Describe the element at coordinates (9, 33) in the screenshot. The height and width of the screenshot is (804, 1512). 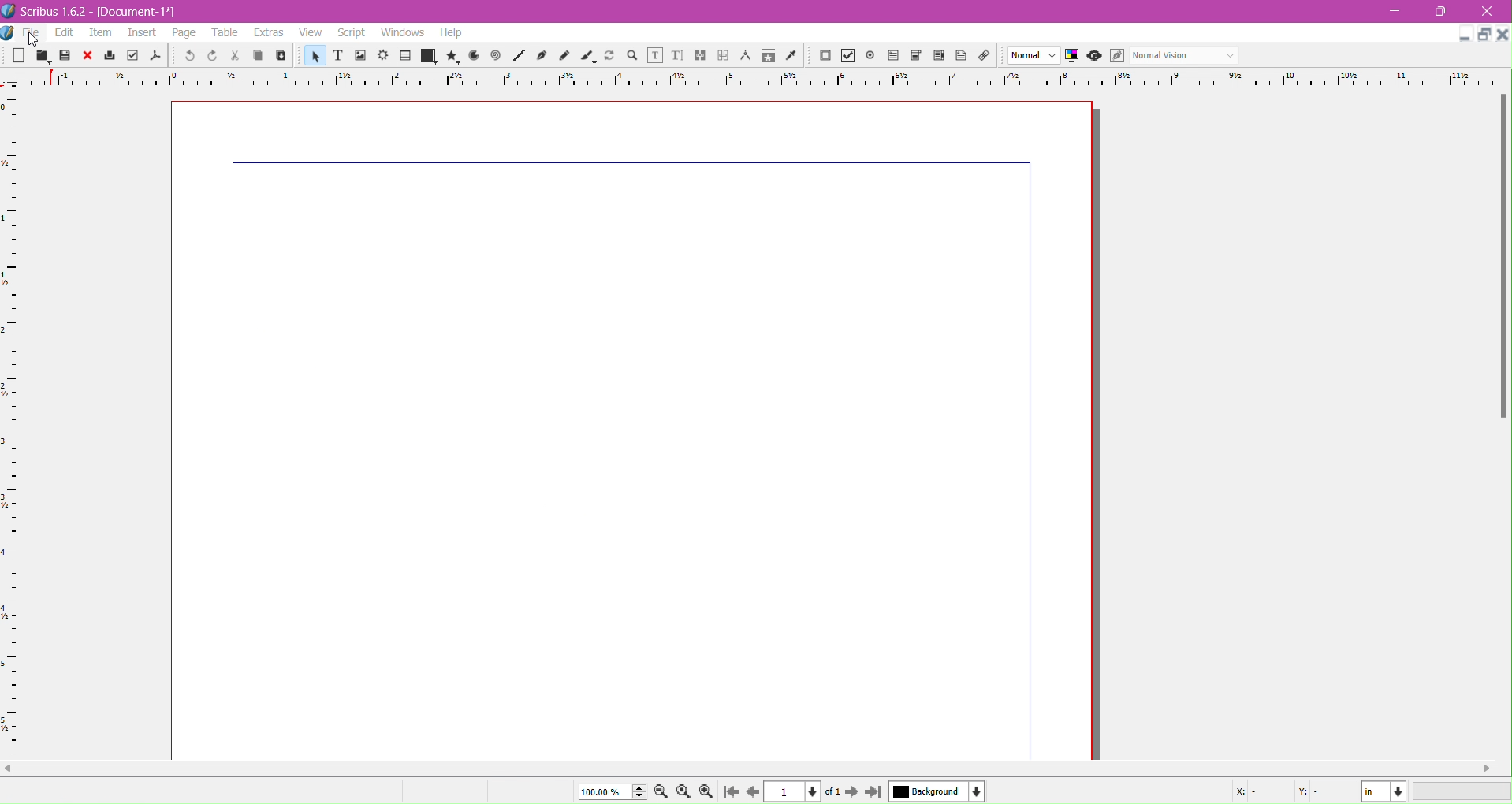
I see `app icon` at that location.